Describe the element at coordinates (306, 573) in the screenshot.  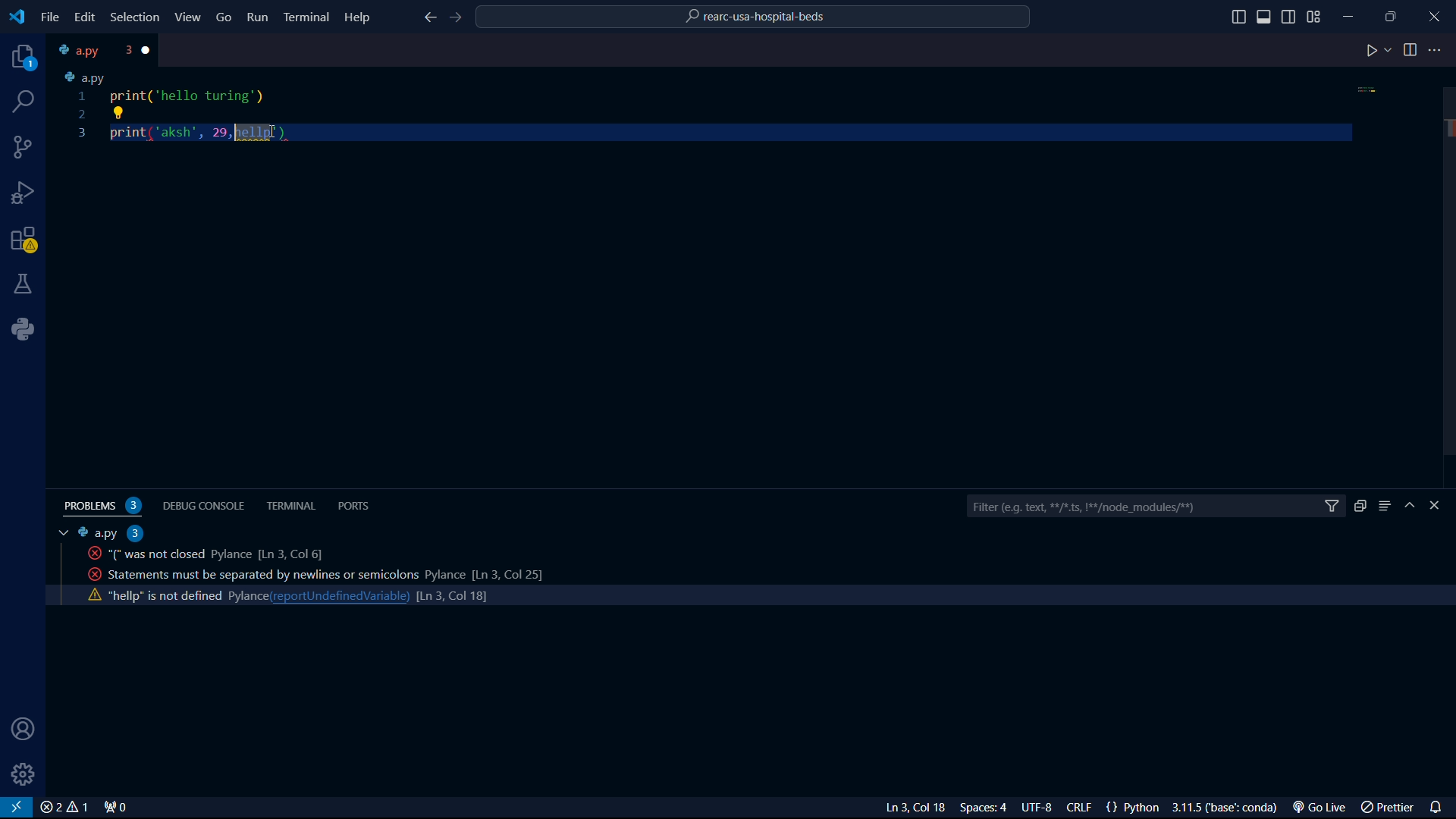
I see `activity code` at that location.